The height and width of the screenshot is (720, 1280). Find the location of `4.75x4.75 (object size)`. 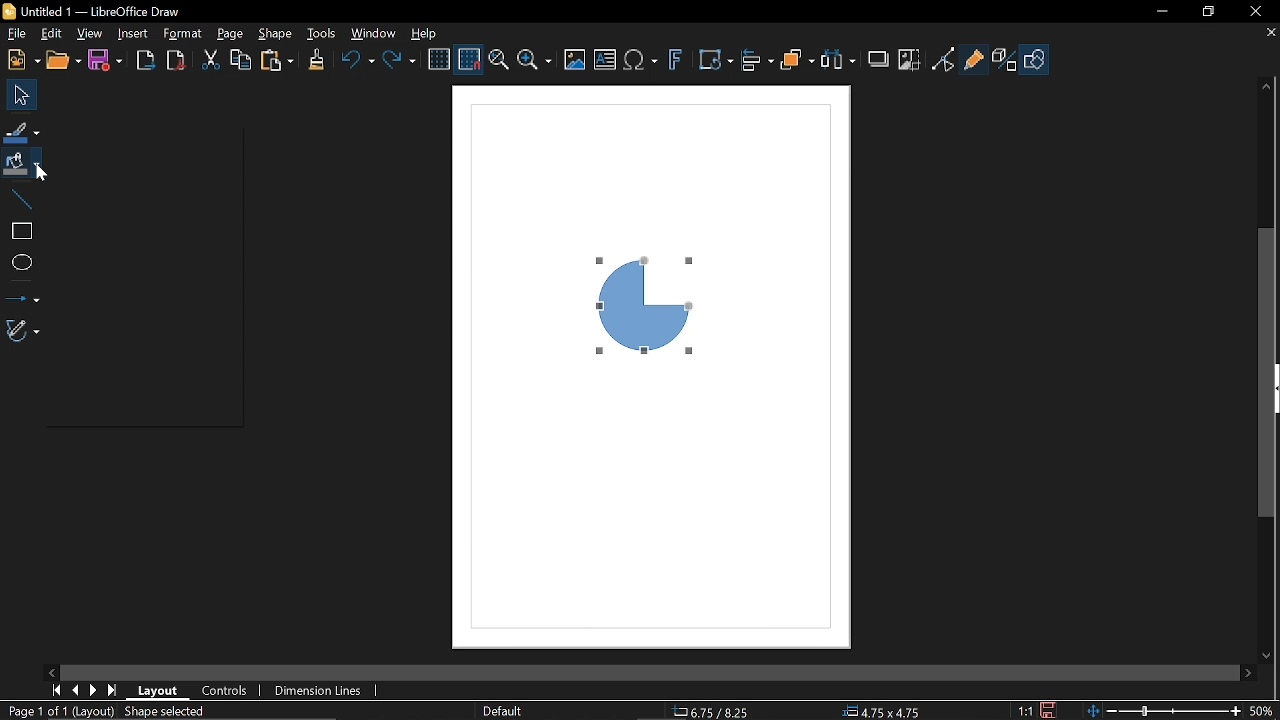

4.75x4.75 (object size) is located at coordinates (880, 712).